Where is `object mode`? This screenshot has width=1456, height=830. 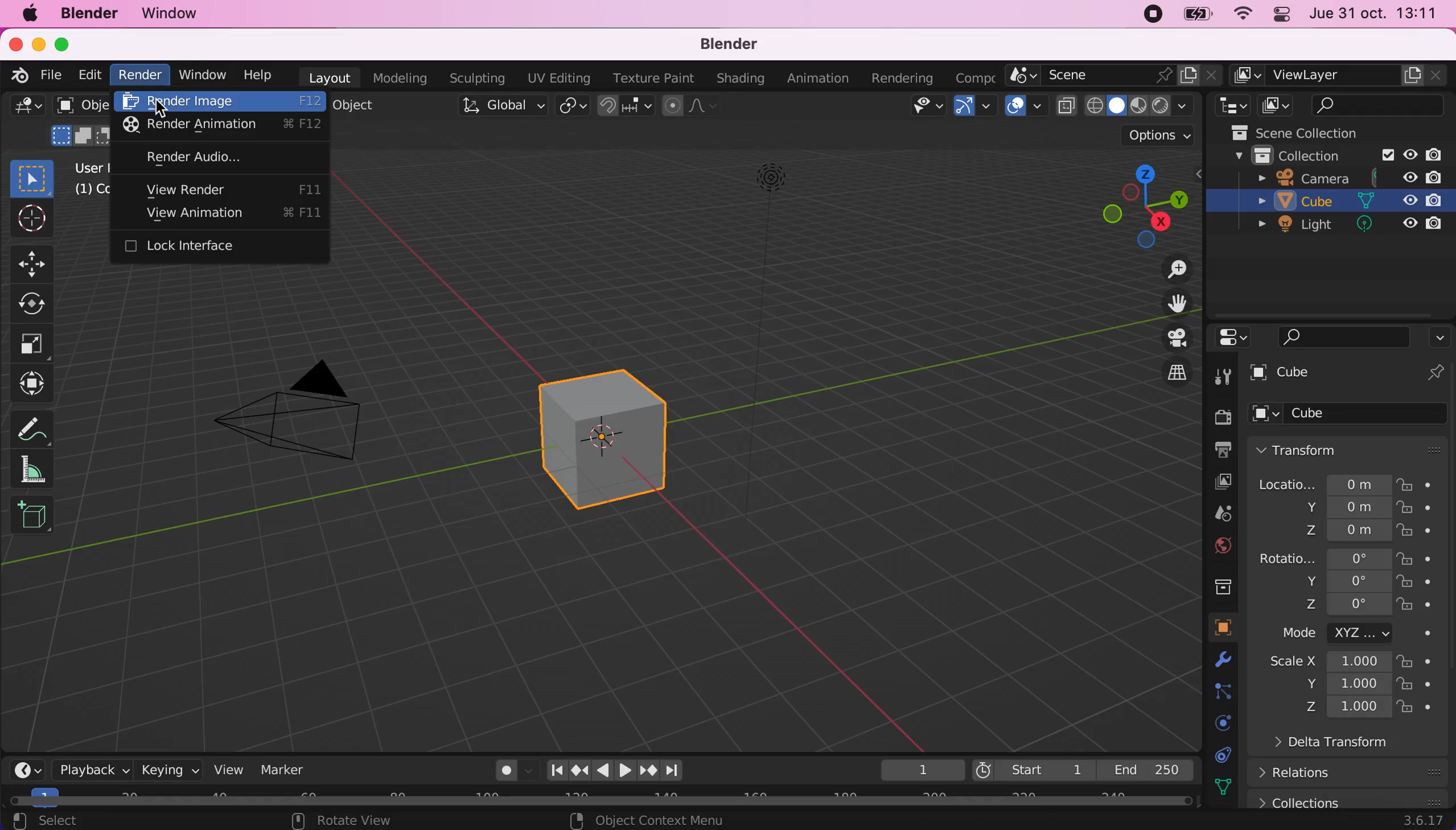
object mode is located at coordinates (81, 122).